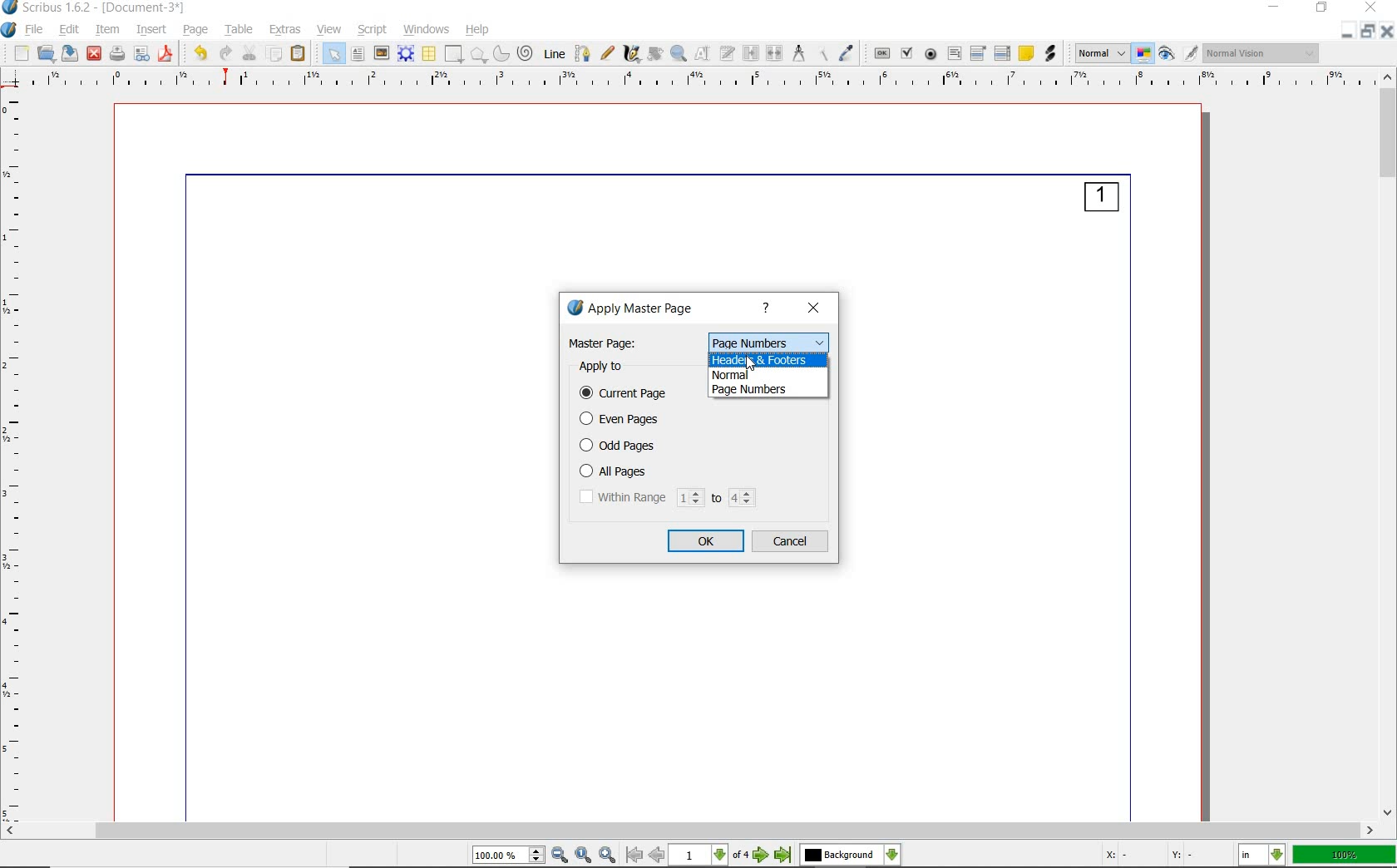  Describe the element at coordinates (1277, 7) in the screenshot. I see `minimize` at that location.